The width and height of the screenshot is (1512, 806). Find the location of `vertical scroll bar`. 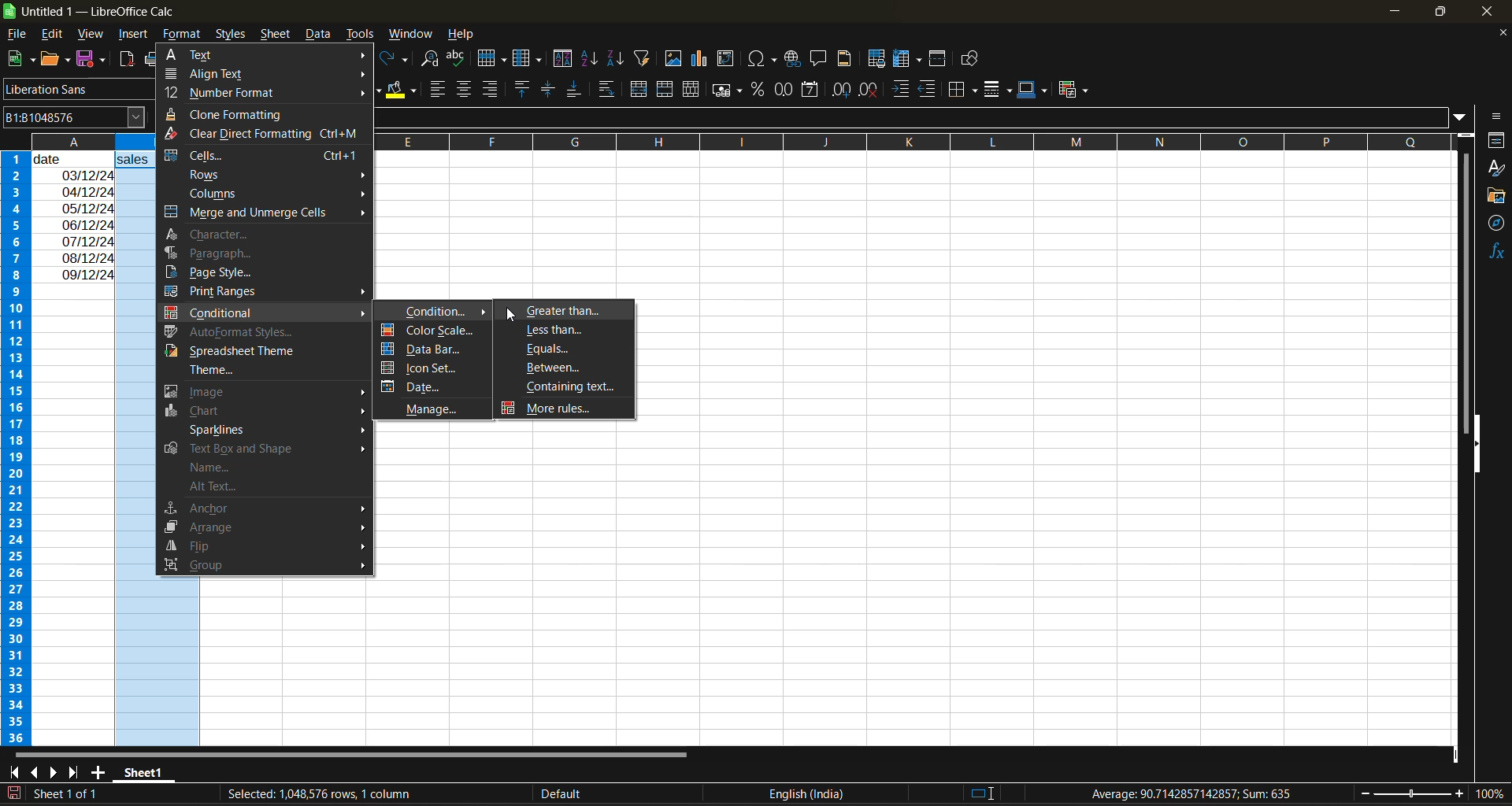

vertical scroll bar is located at coordinates (1466, 278).